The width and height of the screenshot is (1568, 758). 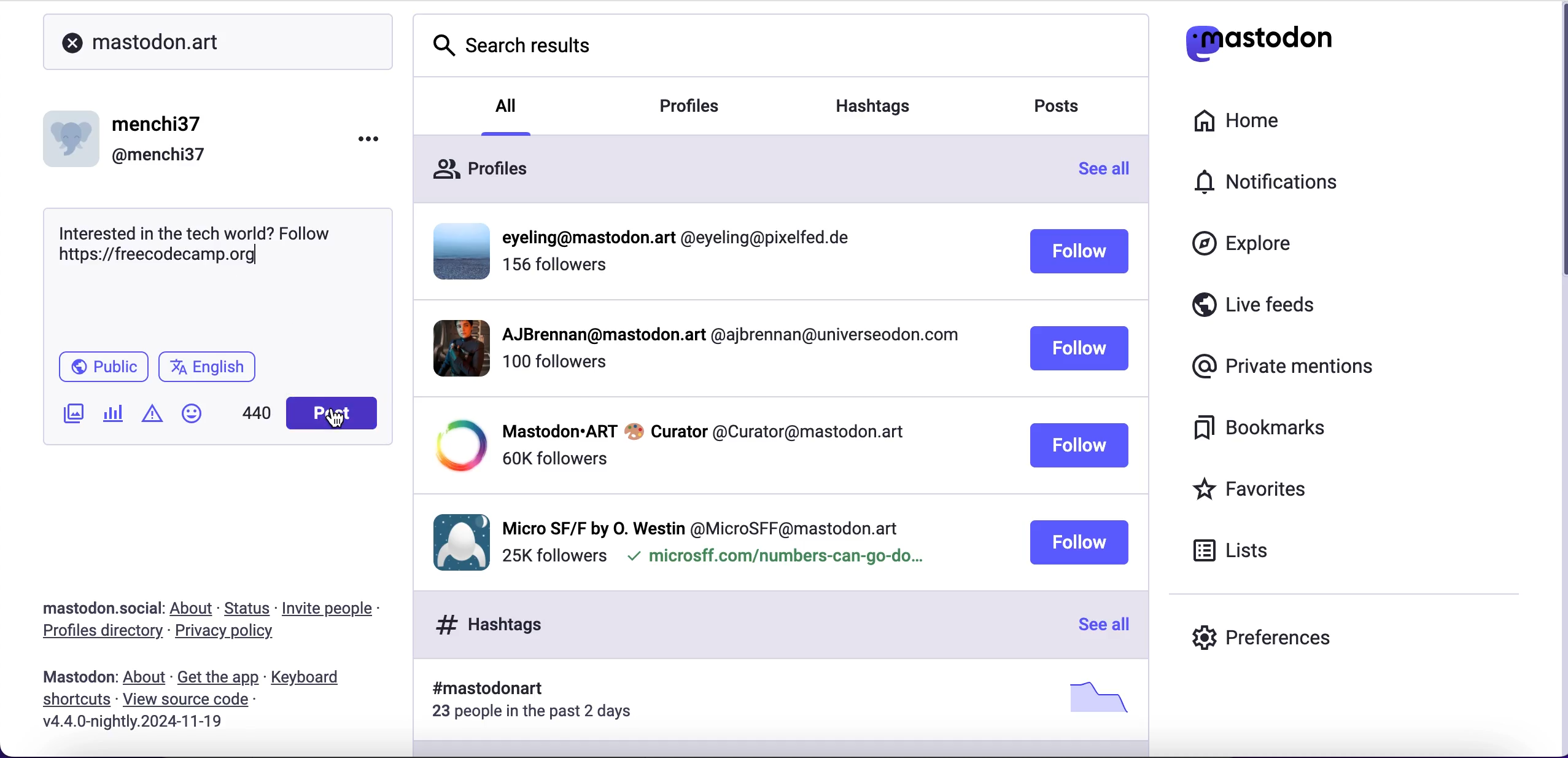 What do you see at coordinates (246, 606) in the screenshot?
I see `status` at bounding box center [246, 606].